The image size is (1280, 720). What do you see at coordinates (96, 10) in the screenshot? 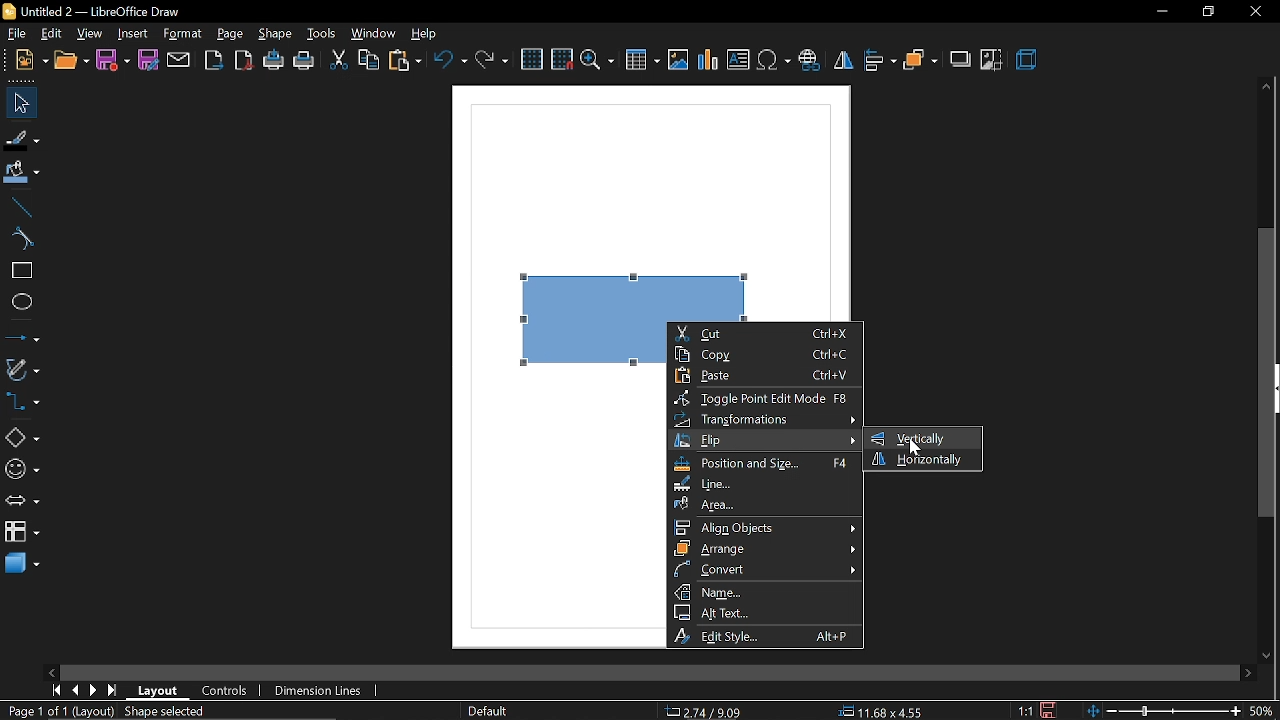
I see `Untitled 2 - LibreOffice Draw` at bounding box center [96, 10].